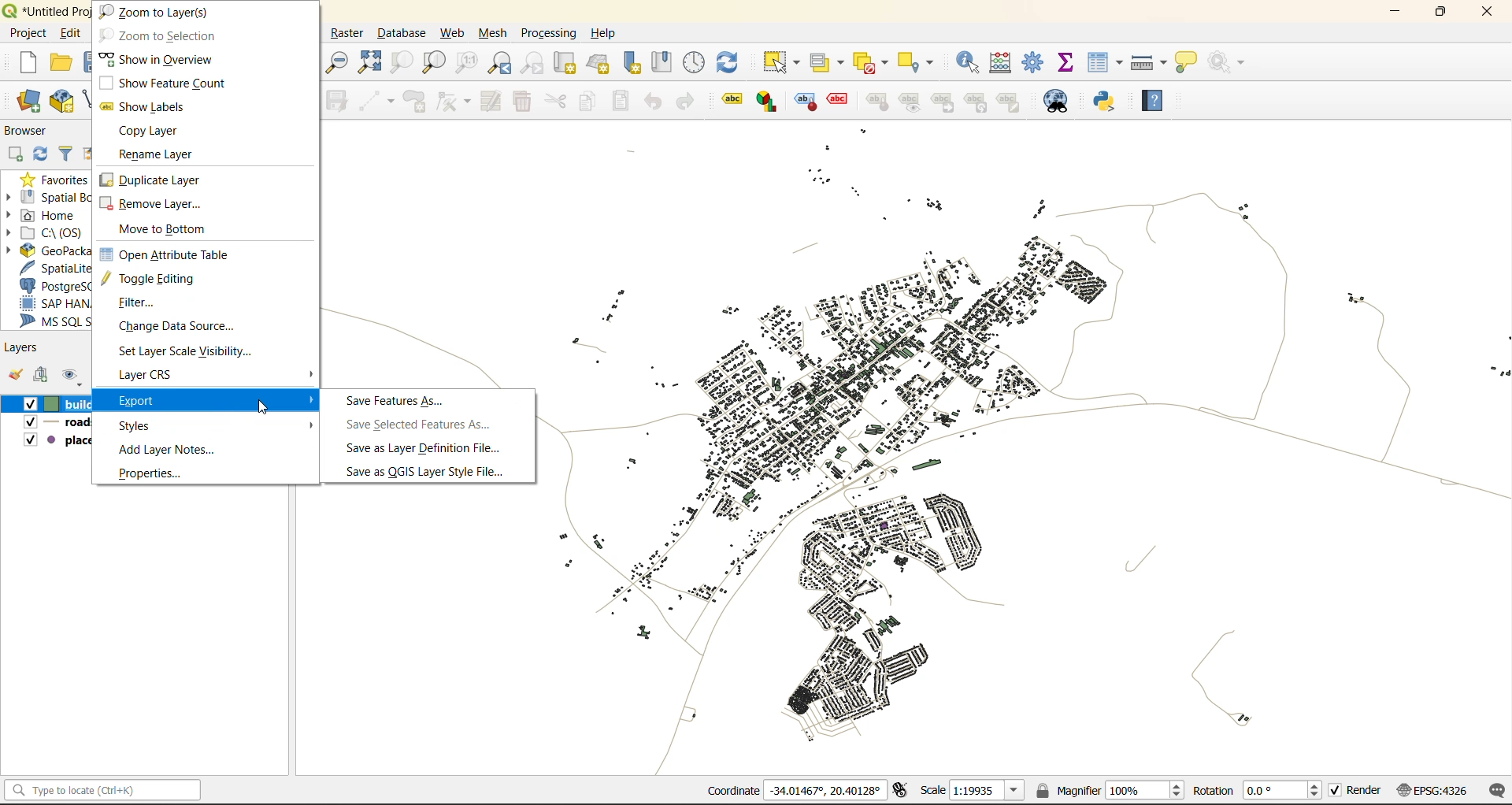  What do you see at coordinates (972, 62) in the screenshot?
I see `identify features` at bounding box center [972, 62].